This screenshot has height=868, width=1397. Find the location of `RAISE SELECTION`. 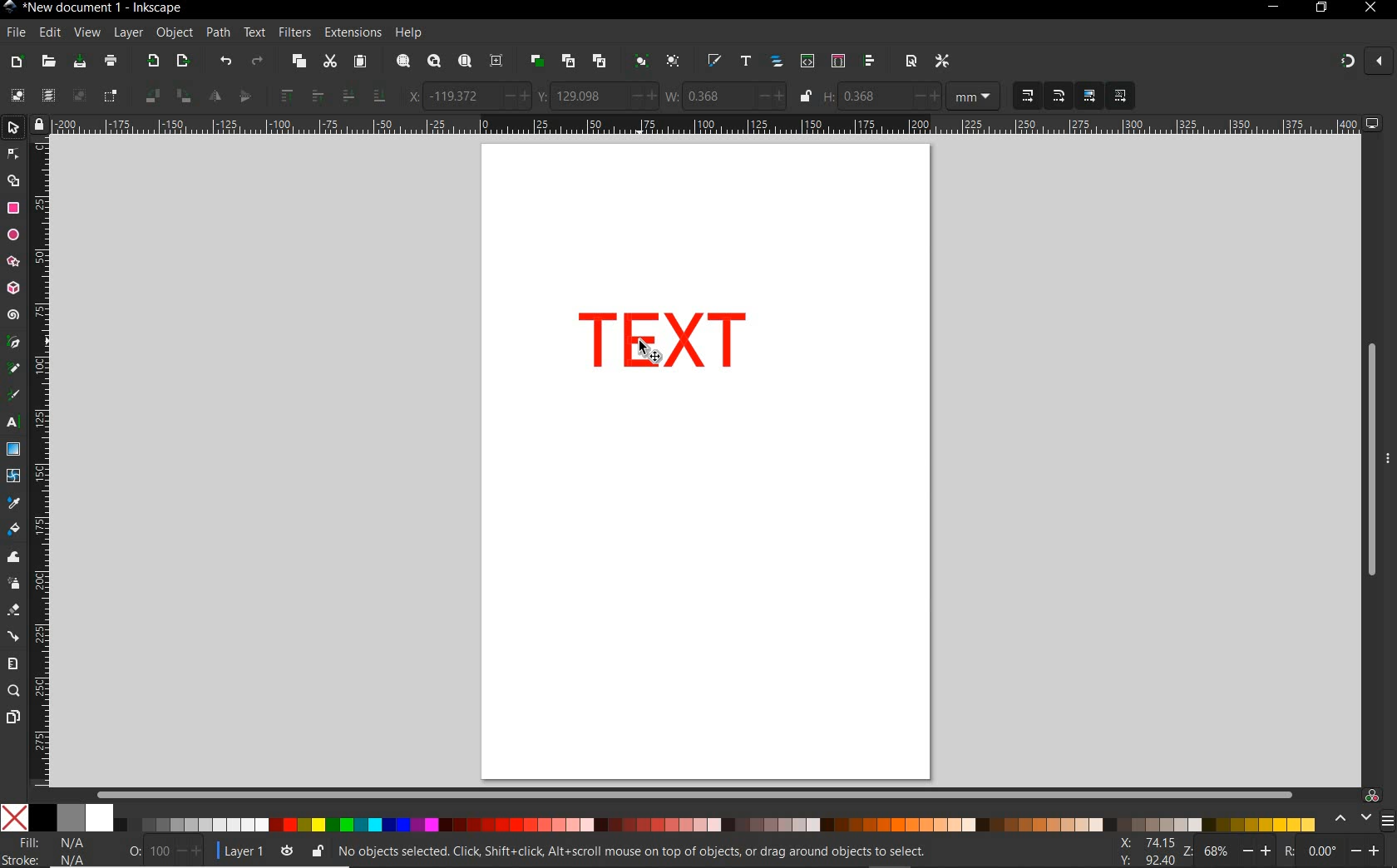

RAISE SELECTION is located at coordinates (297, 95).